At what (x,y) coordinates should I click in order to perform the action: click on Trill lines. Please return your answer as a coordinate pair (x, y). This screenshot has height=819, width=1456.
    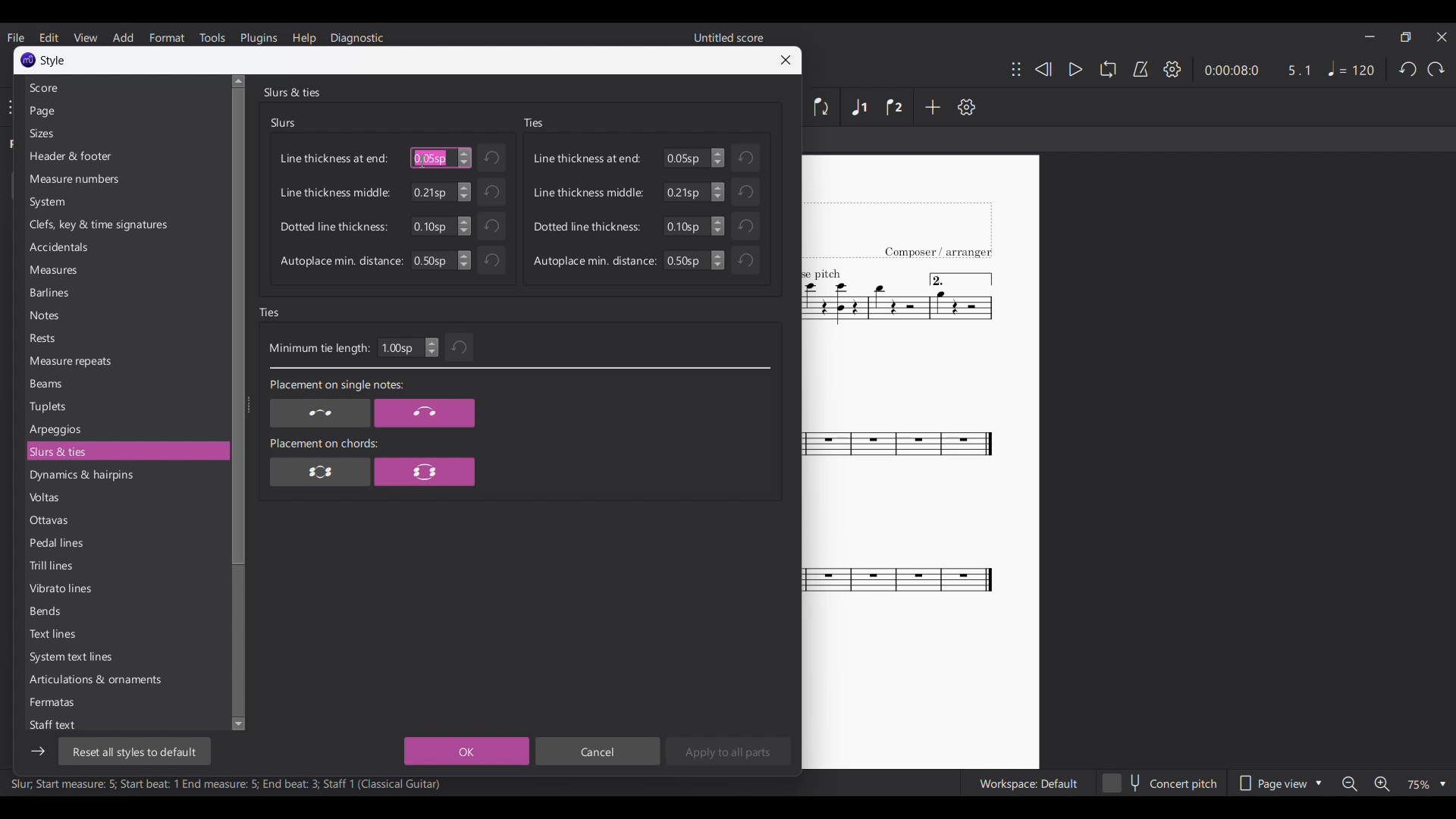
    Looking at the image, I should click on (125, 565).